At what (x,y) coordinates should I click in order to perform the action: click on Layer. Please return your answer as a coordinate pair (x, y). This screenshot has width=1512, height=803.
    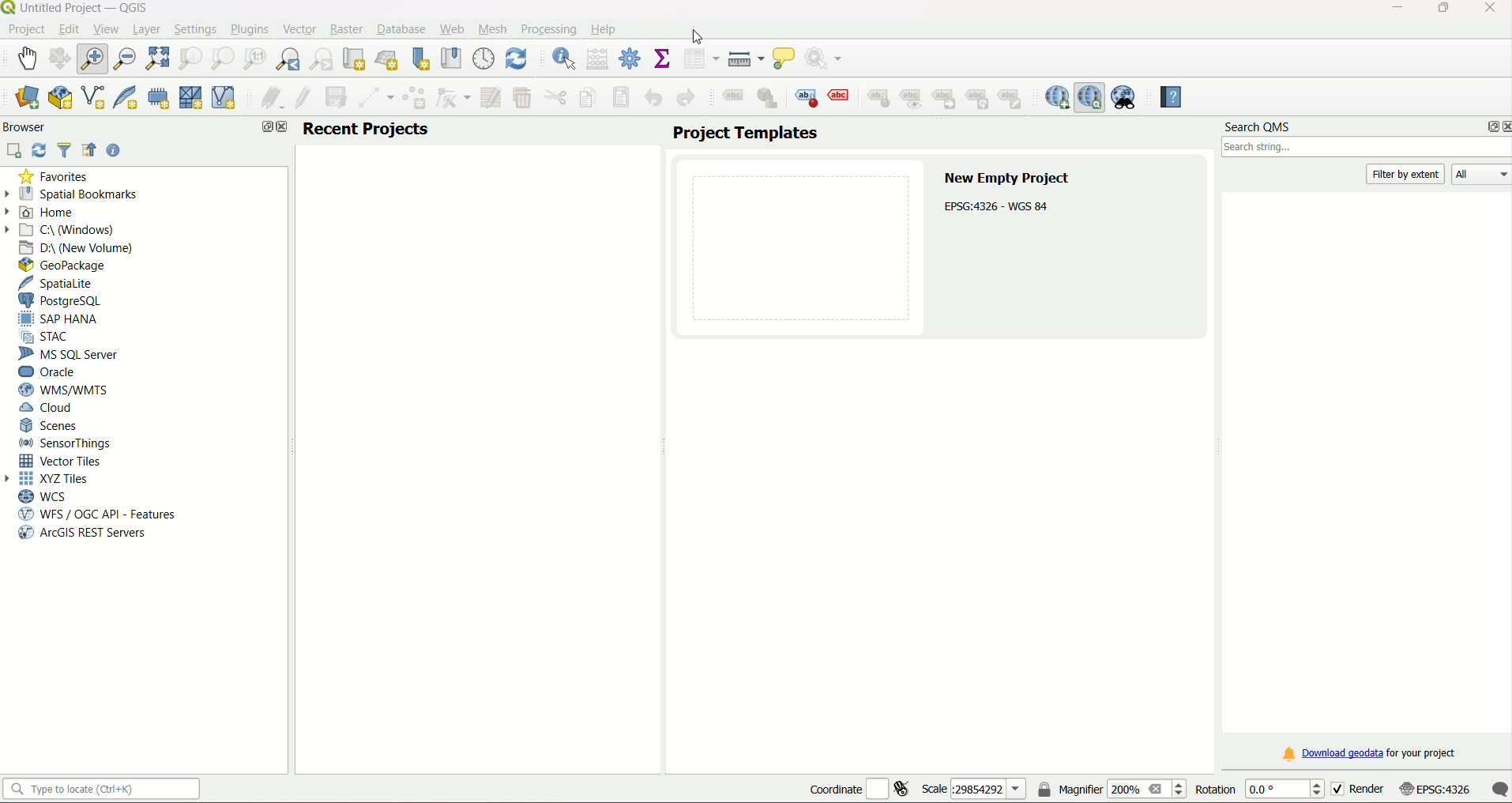
    Looking at the image, I should click on (146, 29).